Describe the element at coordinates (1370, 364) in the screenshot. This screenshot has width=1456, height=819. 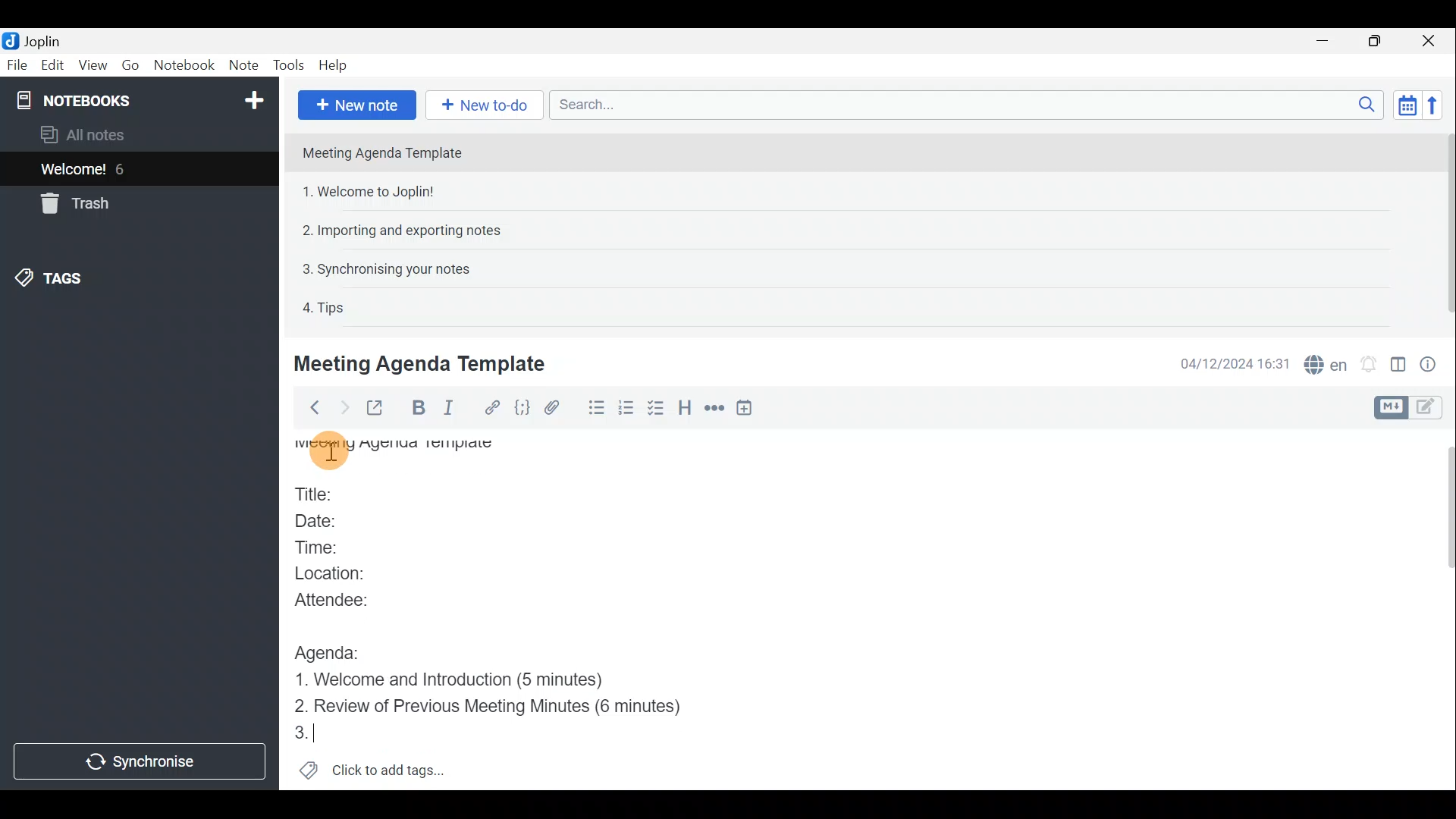
I see `Set alarm` at that location.